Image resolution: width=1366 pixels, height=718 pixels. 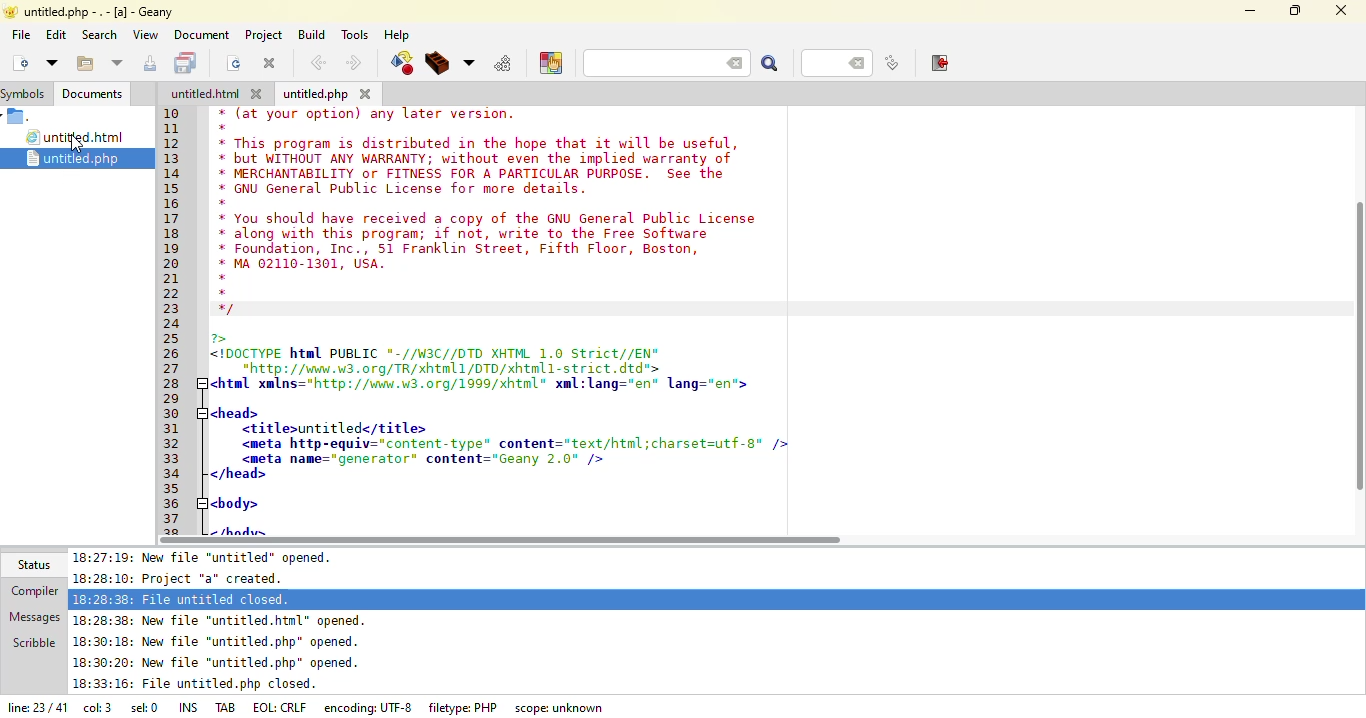 I want to click on col, so click(x=97, y=706).